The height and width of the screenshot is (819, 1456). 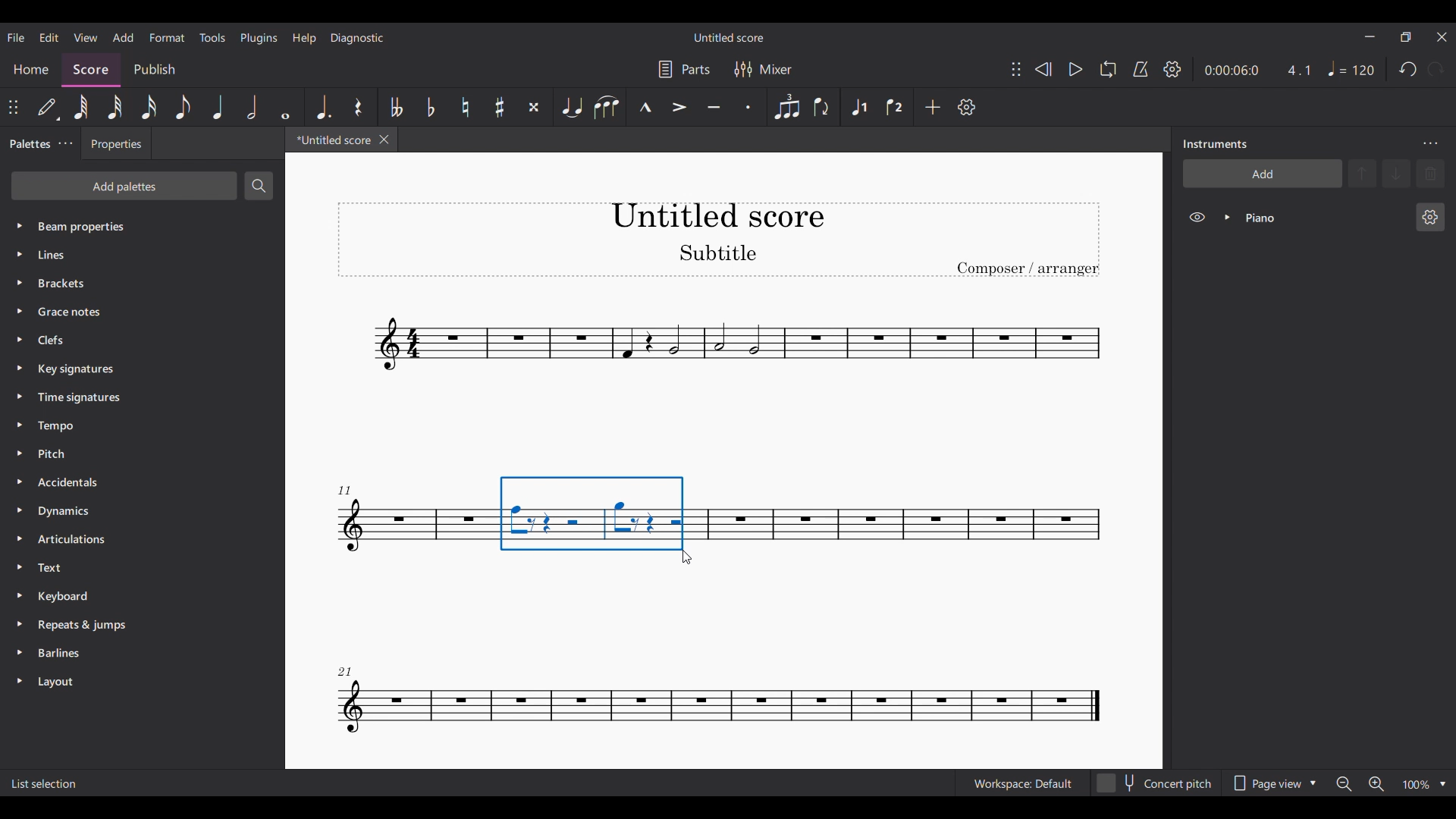 What do you see at coordinates (213, 37) in the screenshot?
I see `Tools menu` at bounding box center [213, 37].